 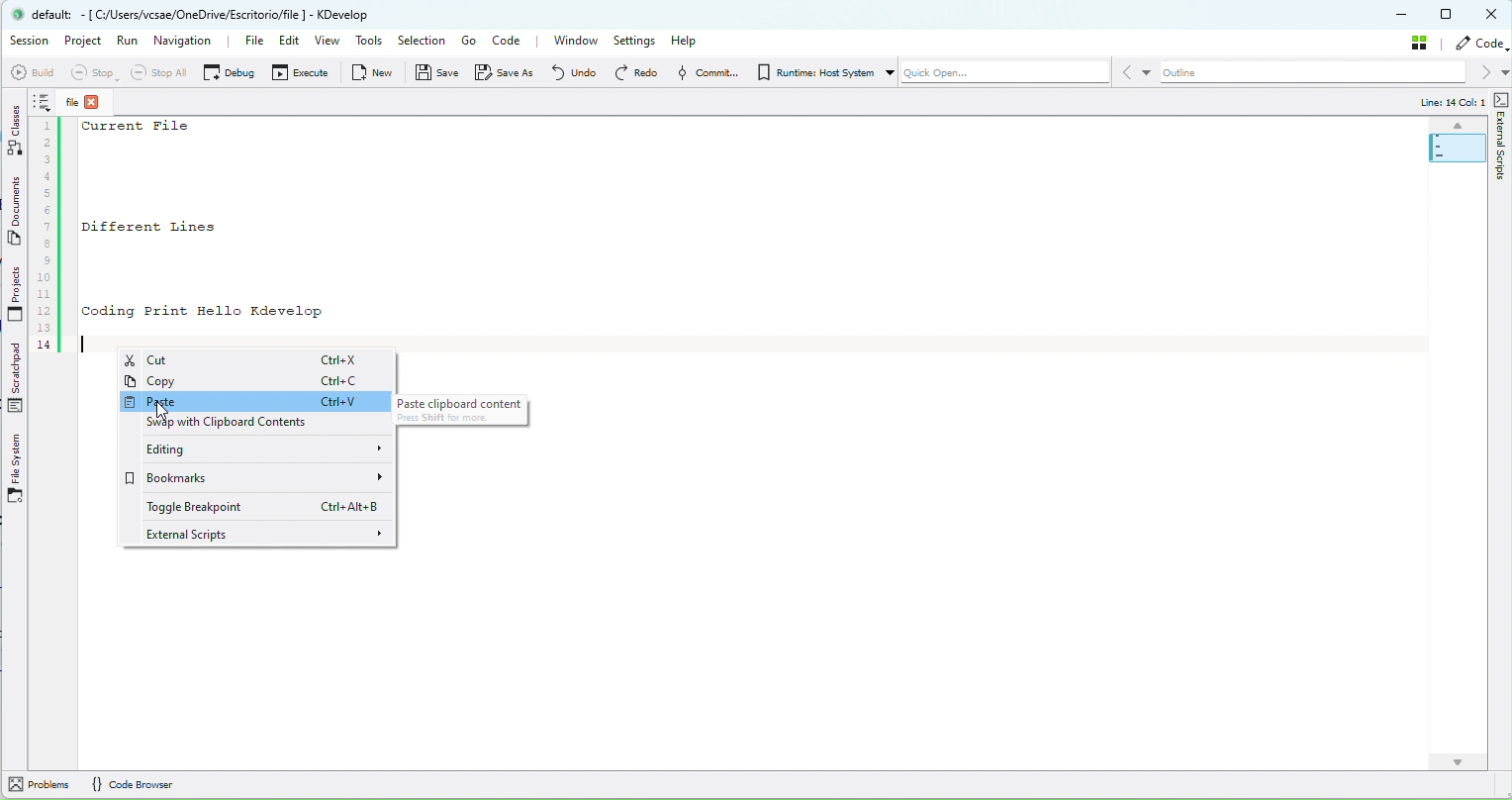 What do you see at coordinates (1448, 14) in the screenshot?
I see `Maximize` at bounding box center [1448, 14].